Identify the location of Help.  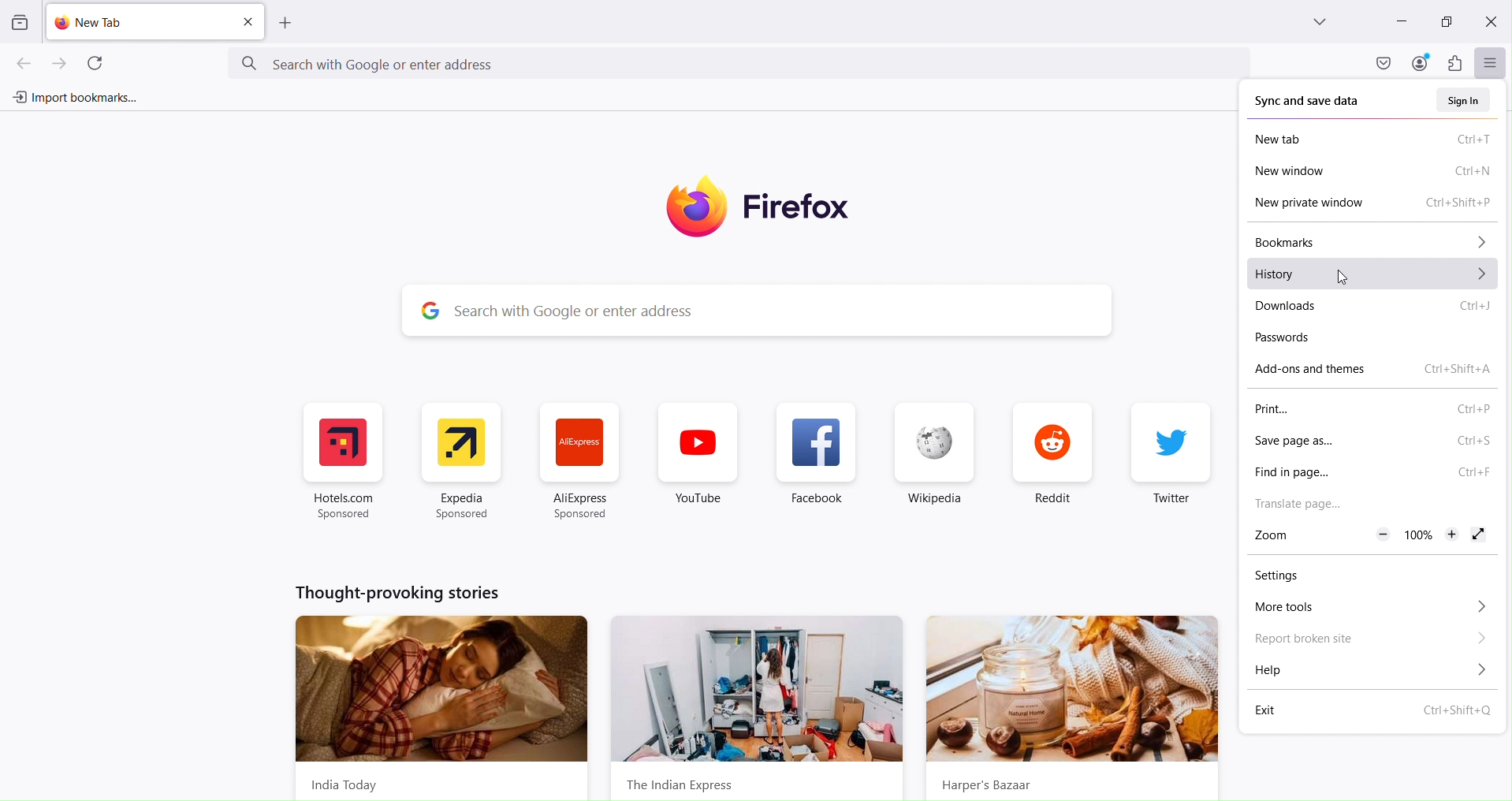
(1370, 671).